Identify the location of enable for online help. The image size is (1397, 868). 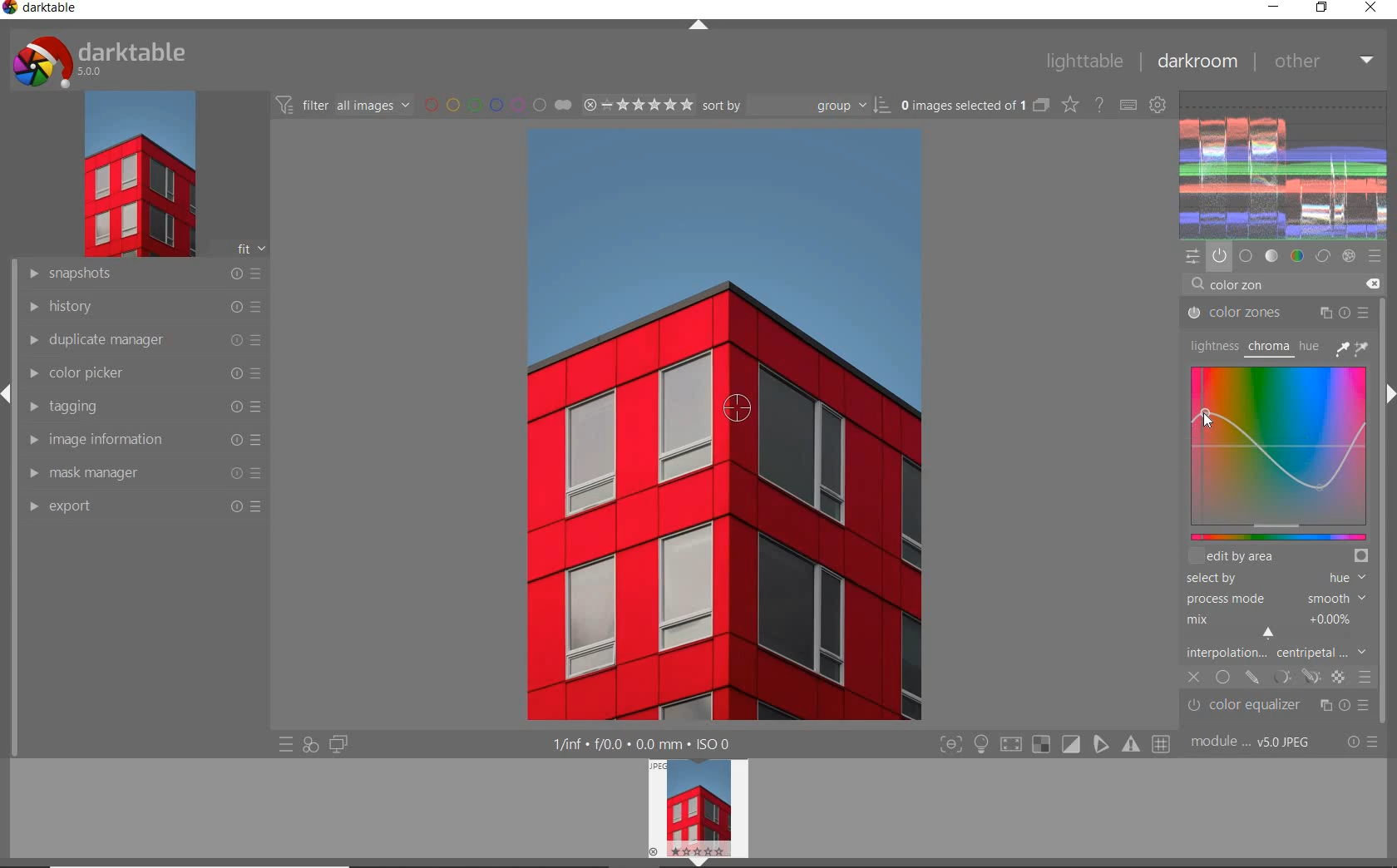
(1100, 104).